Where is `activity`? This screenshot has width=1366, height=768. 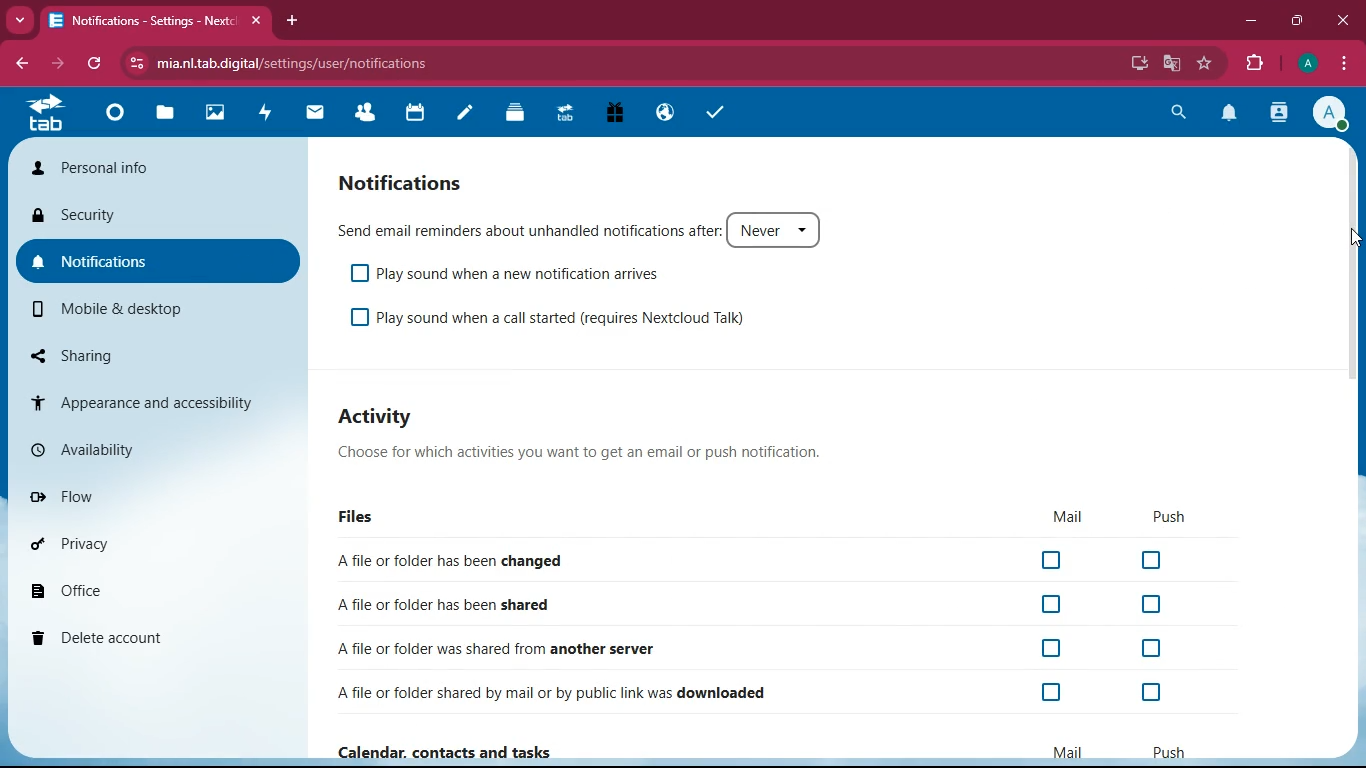 activity is located at coordinates (378, 419).